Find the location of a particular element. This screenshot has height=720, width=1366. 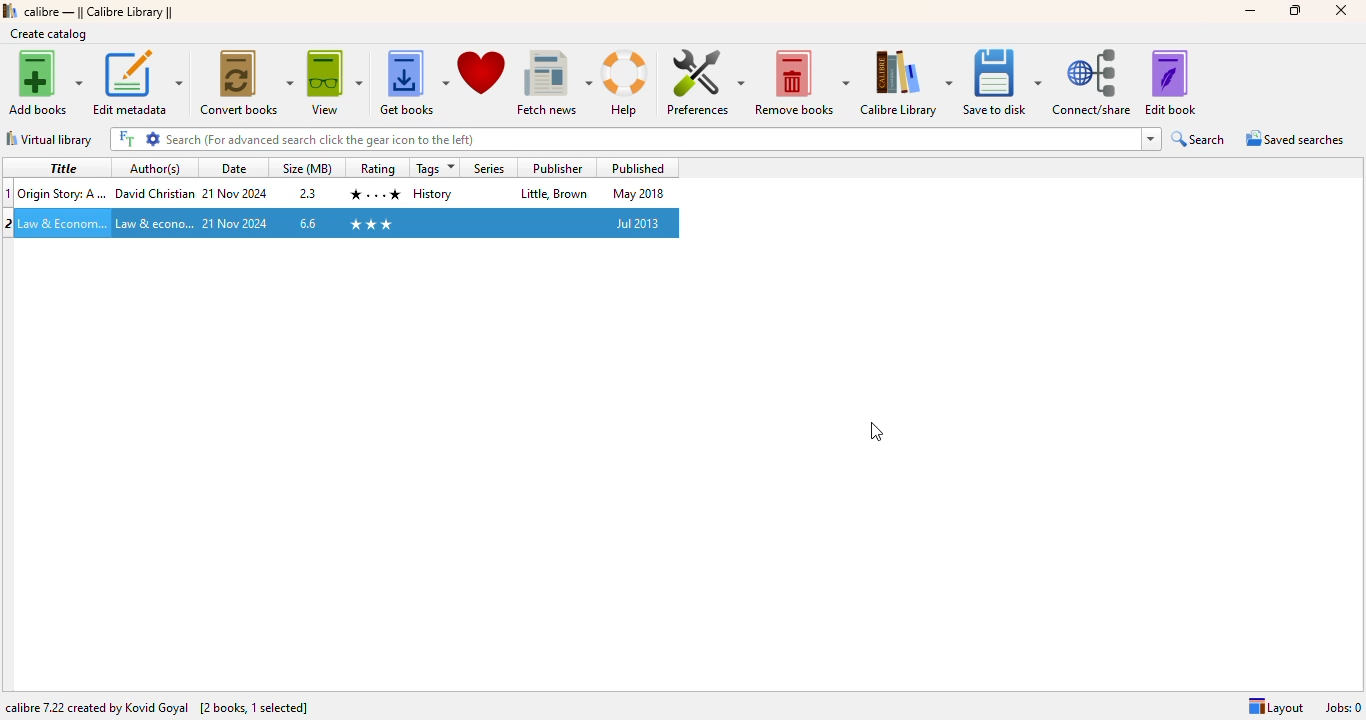

FT is located at coordinates (124, 138).